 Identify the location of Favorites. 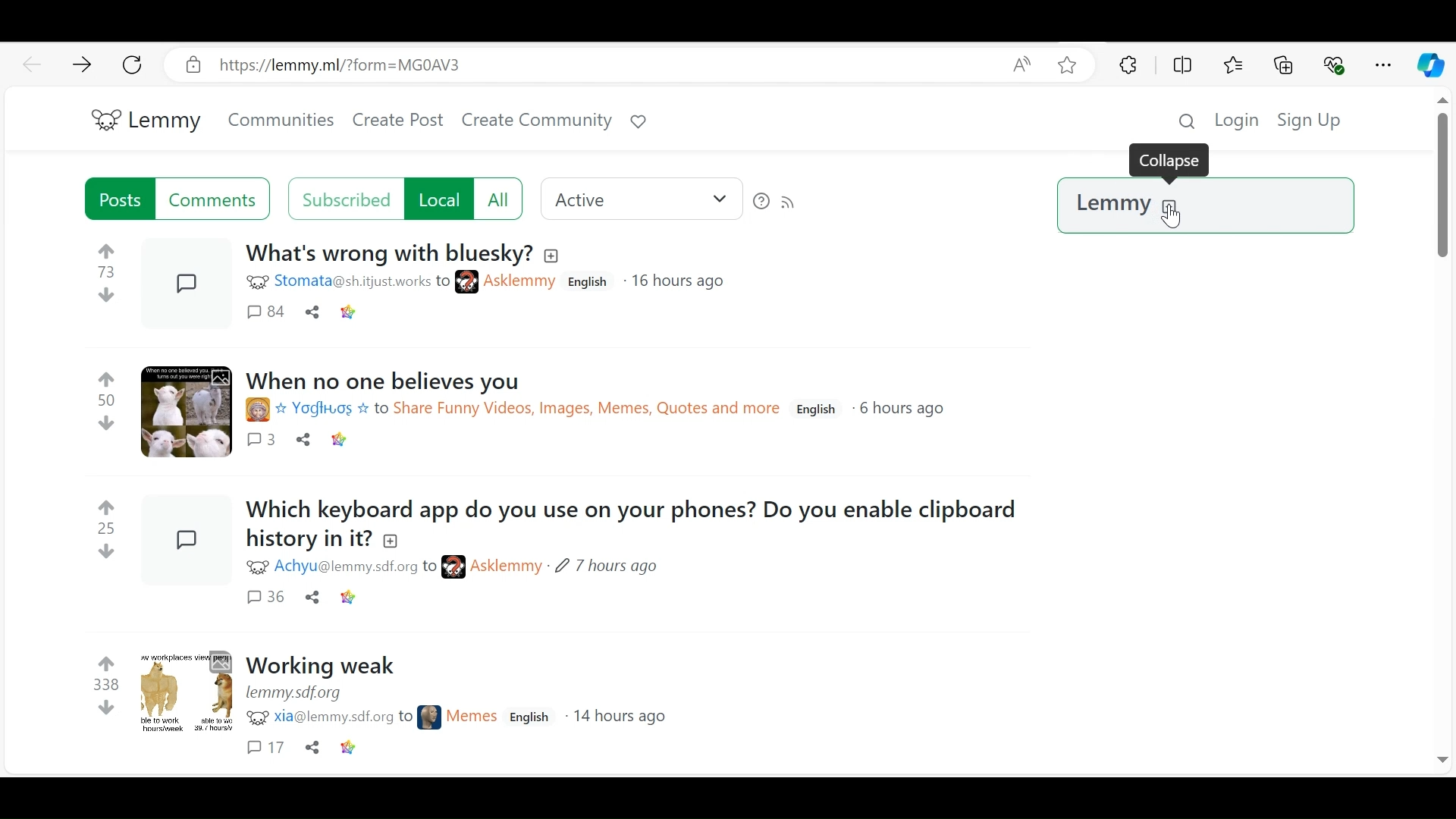
(1231, 64).